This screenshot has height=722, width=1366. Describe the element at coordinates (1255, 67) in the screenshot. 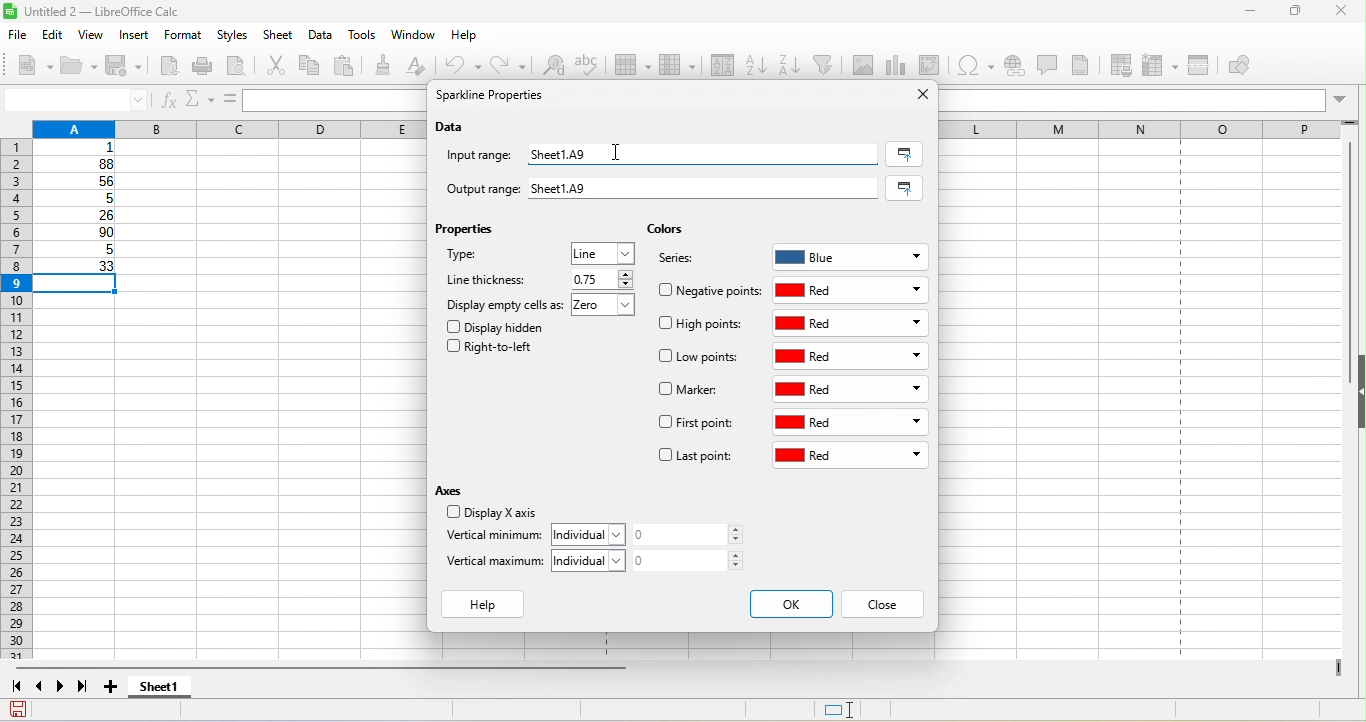

I see `show draw function` at that location.